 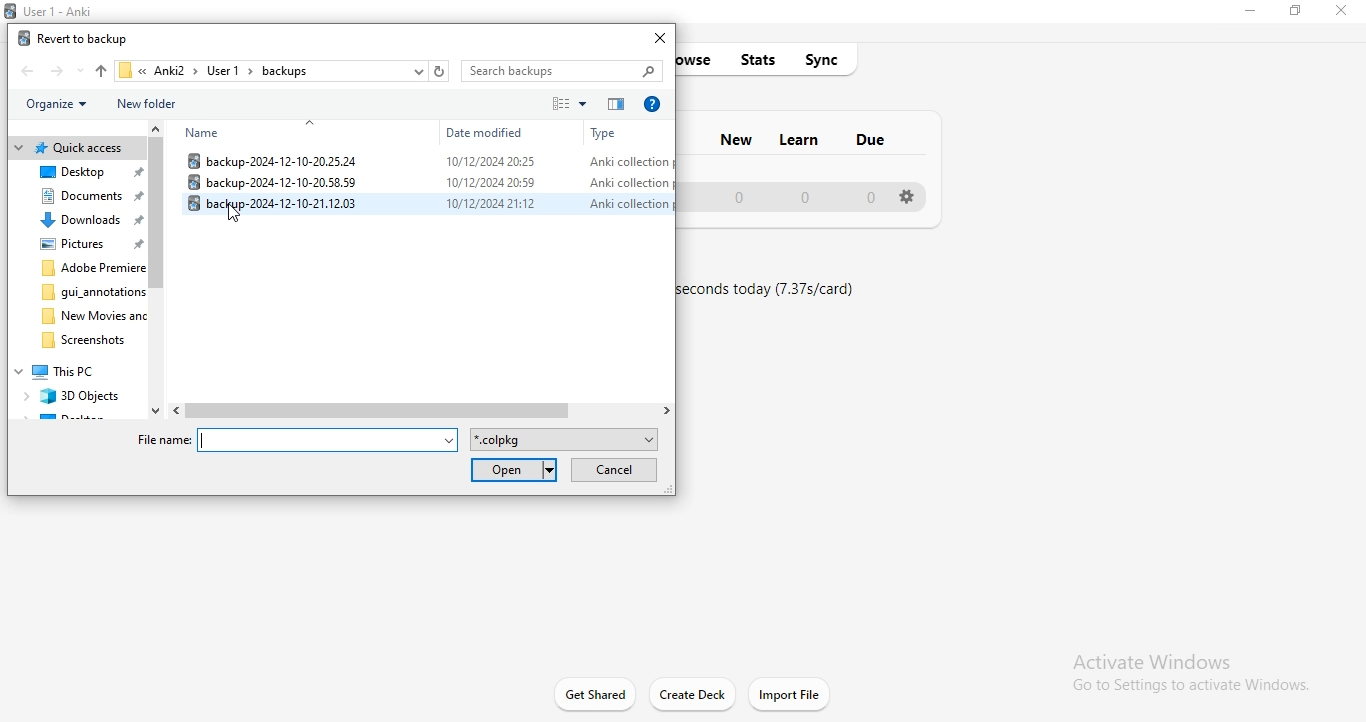 What do you see at coordinates (421, 181) in the screenshot?
I see `file 2` at bounding box center [421, 181].